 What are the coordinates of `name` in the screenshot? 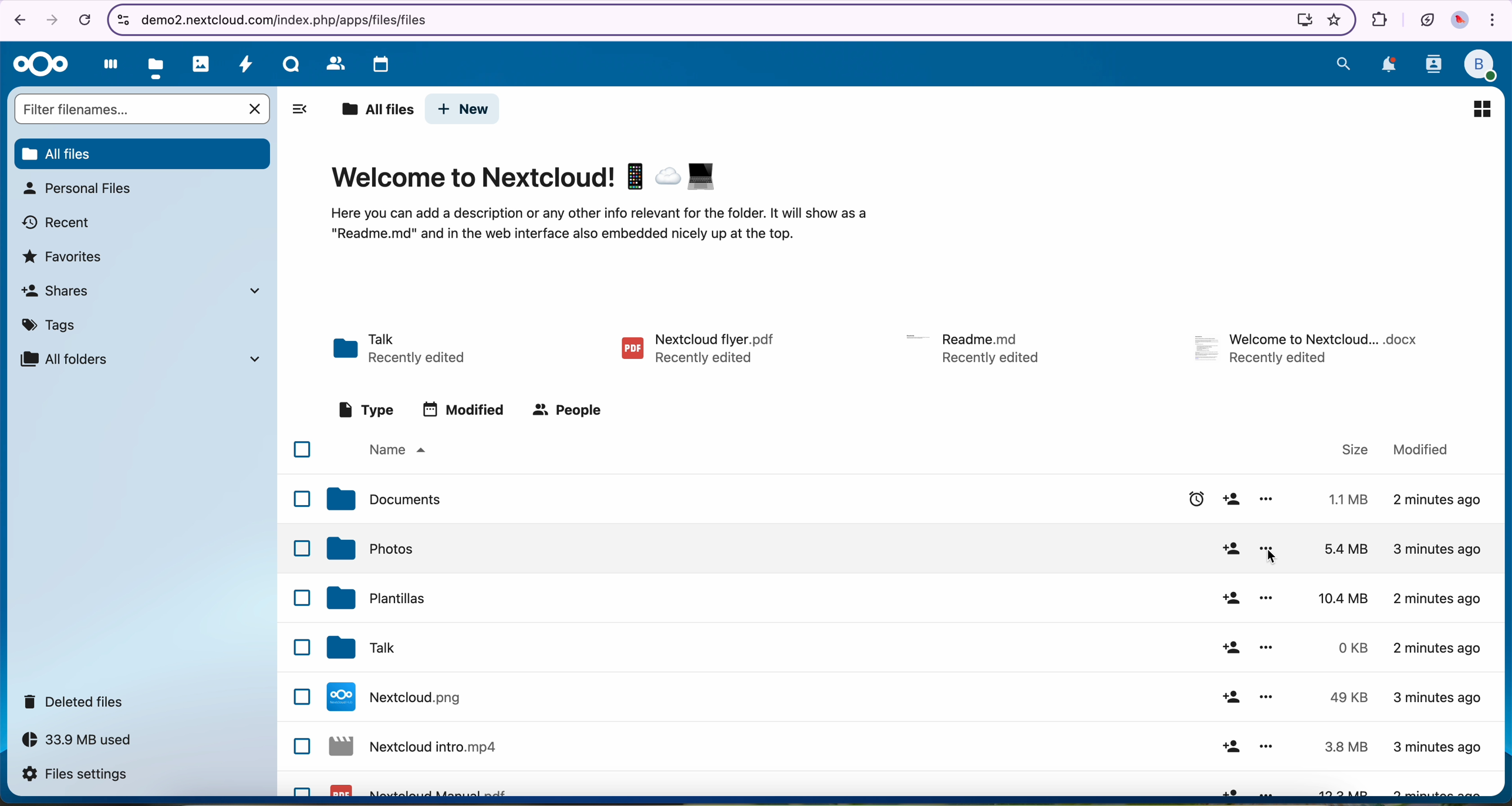 It's located at (403, 450).